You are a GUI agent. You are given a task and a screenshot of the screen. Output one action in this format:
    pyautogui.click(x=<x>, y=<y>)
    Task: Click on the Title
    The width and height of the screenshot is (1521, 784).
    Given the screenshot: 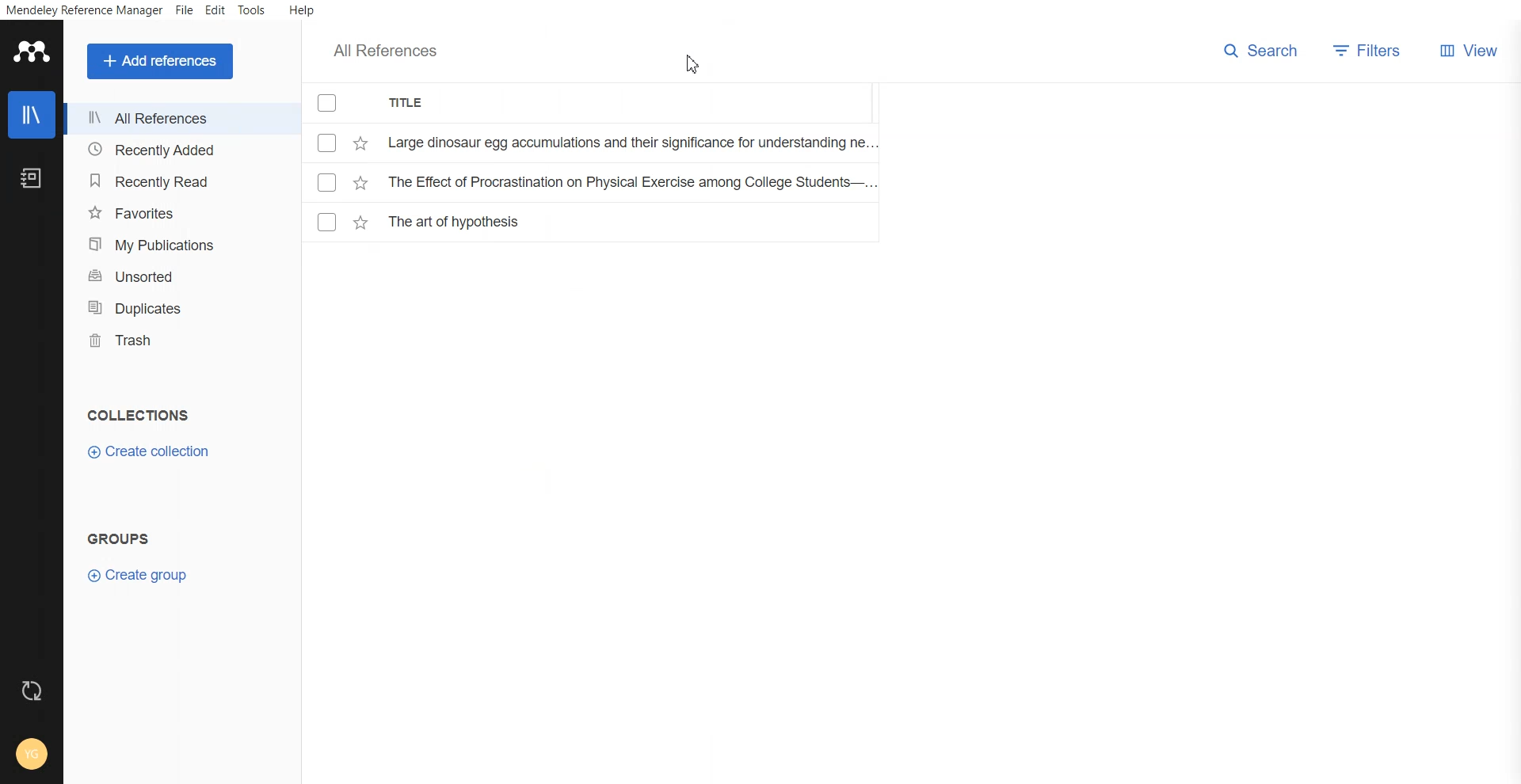 What is the action you would take?
    pyautogui.click(x=411, y=103)
    